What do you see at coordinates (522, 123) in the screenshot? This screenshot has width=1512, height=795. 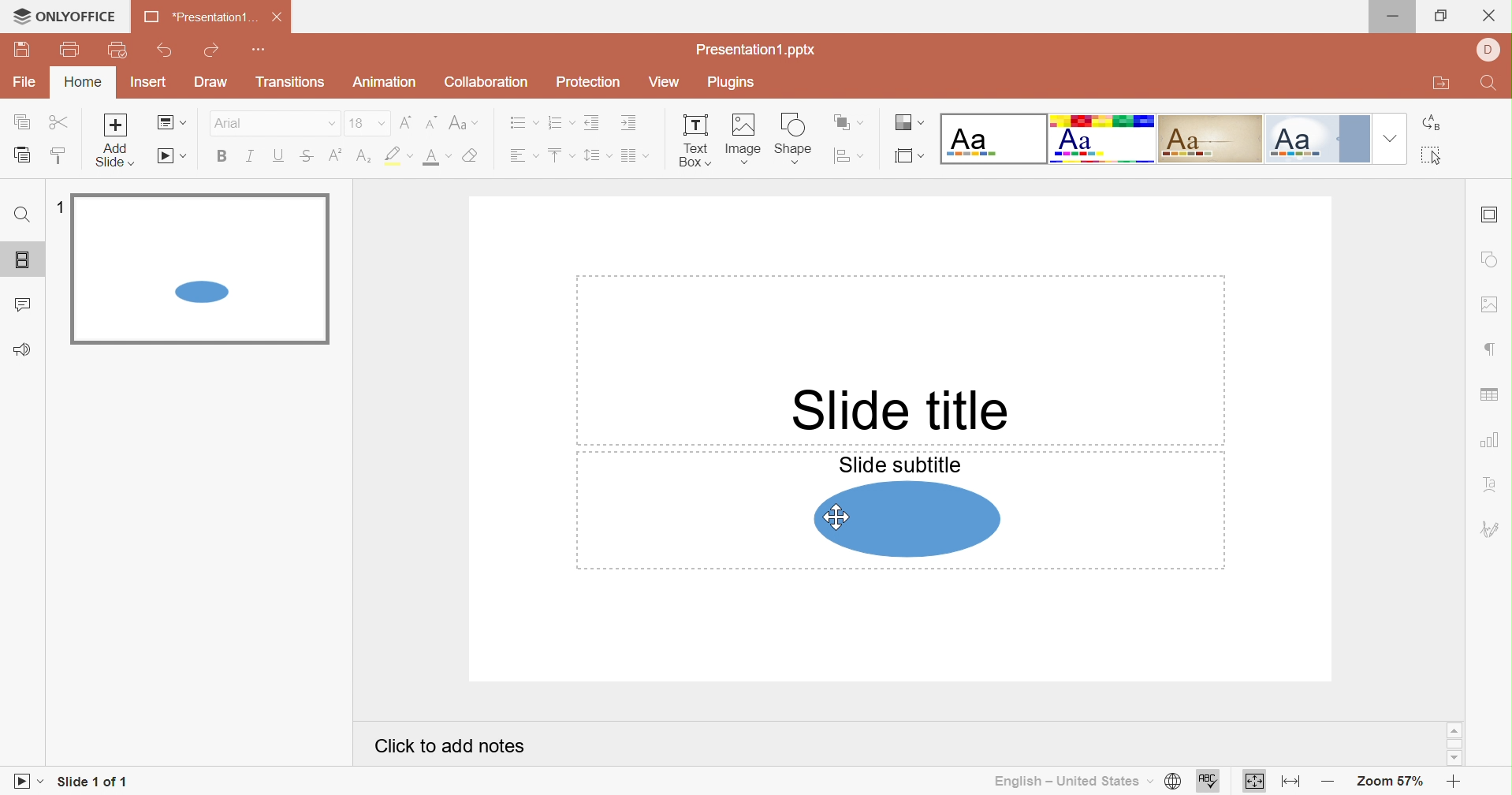 I see `Bullets` at bounding box center [522, 123].